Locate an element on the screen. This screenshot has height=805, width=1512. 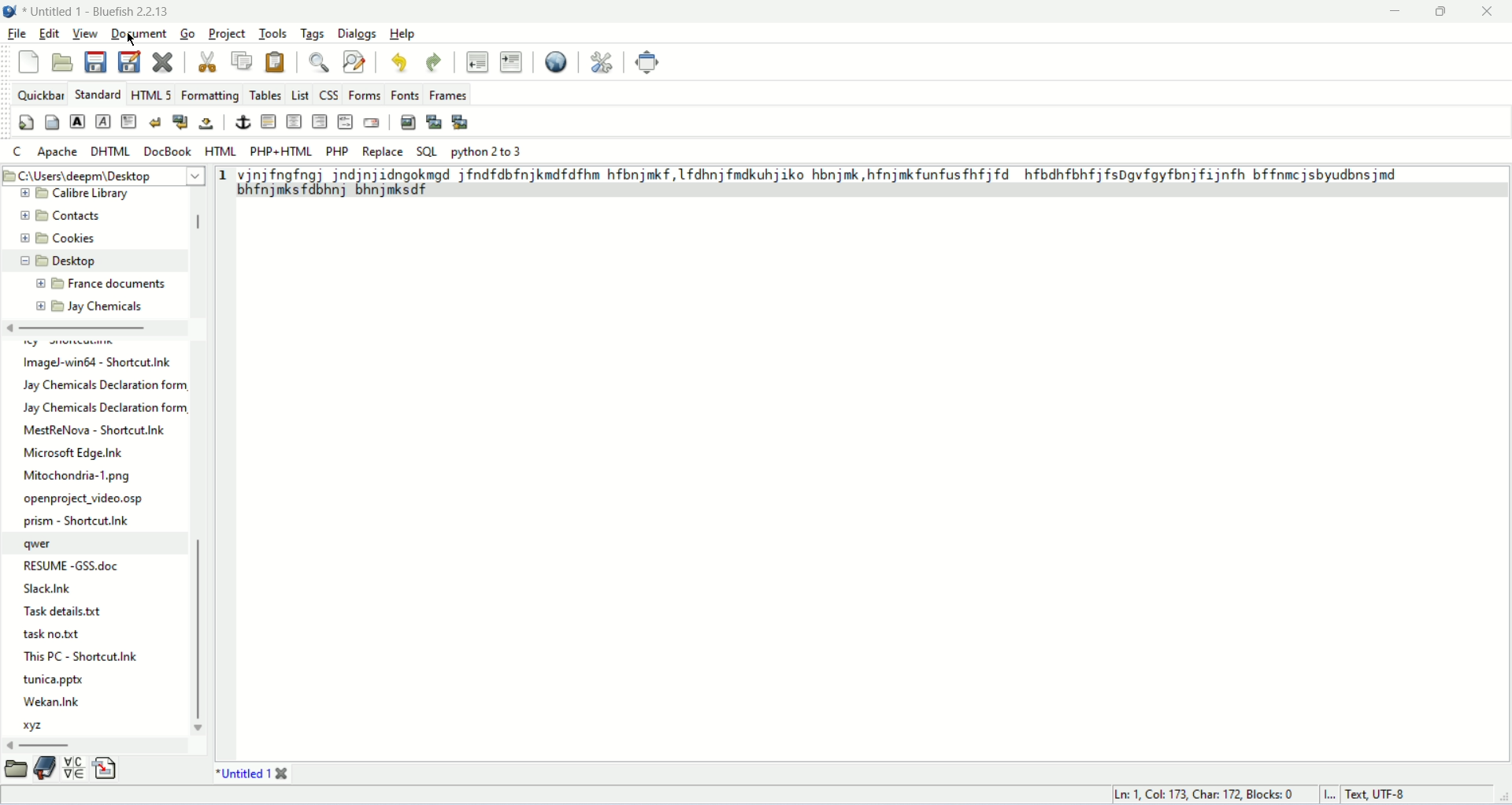
document is located at coordinates (139, 33).